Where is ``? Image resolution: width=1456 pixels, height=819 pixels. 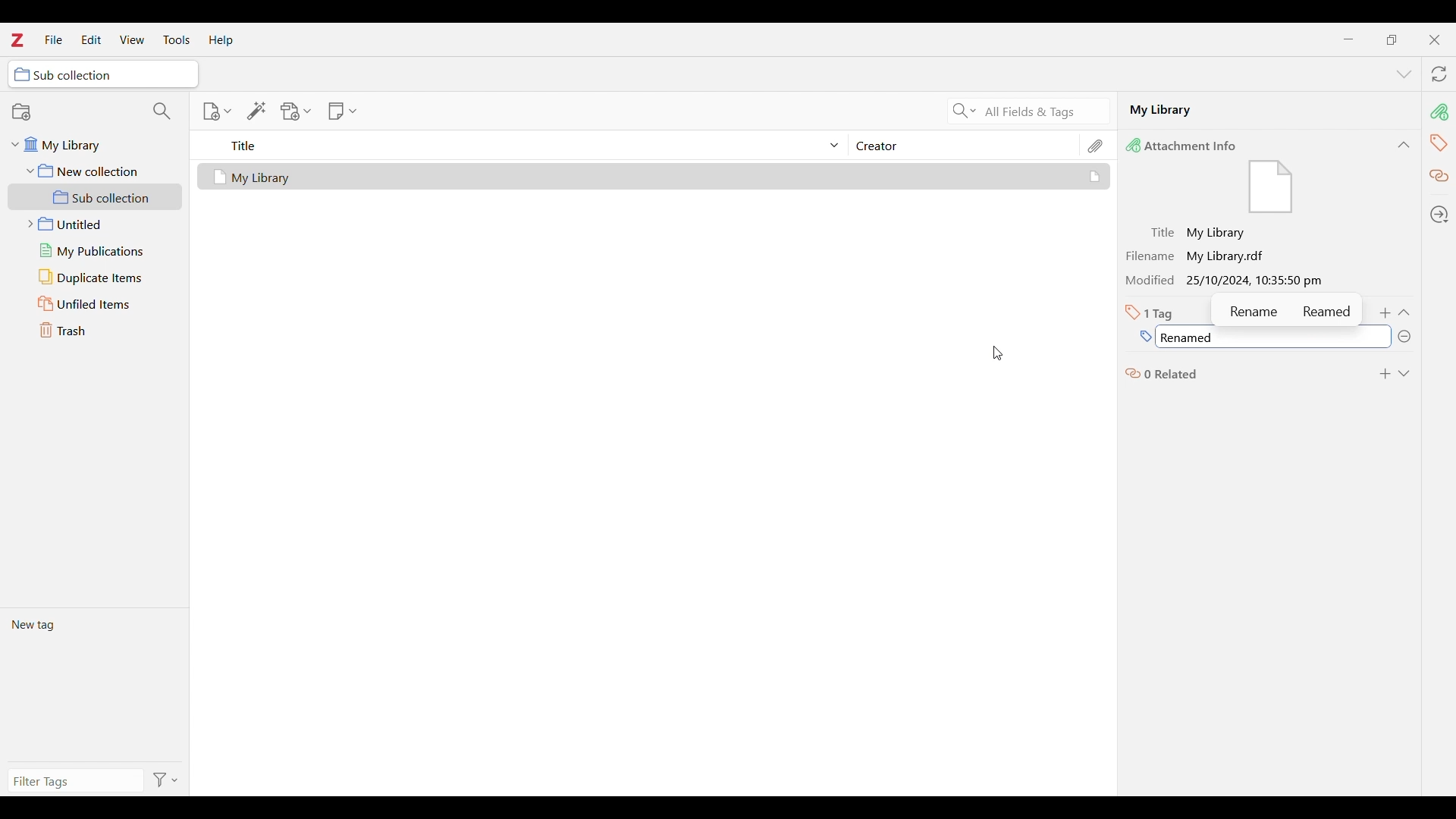  is located at coordinates (1271, 188).